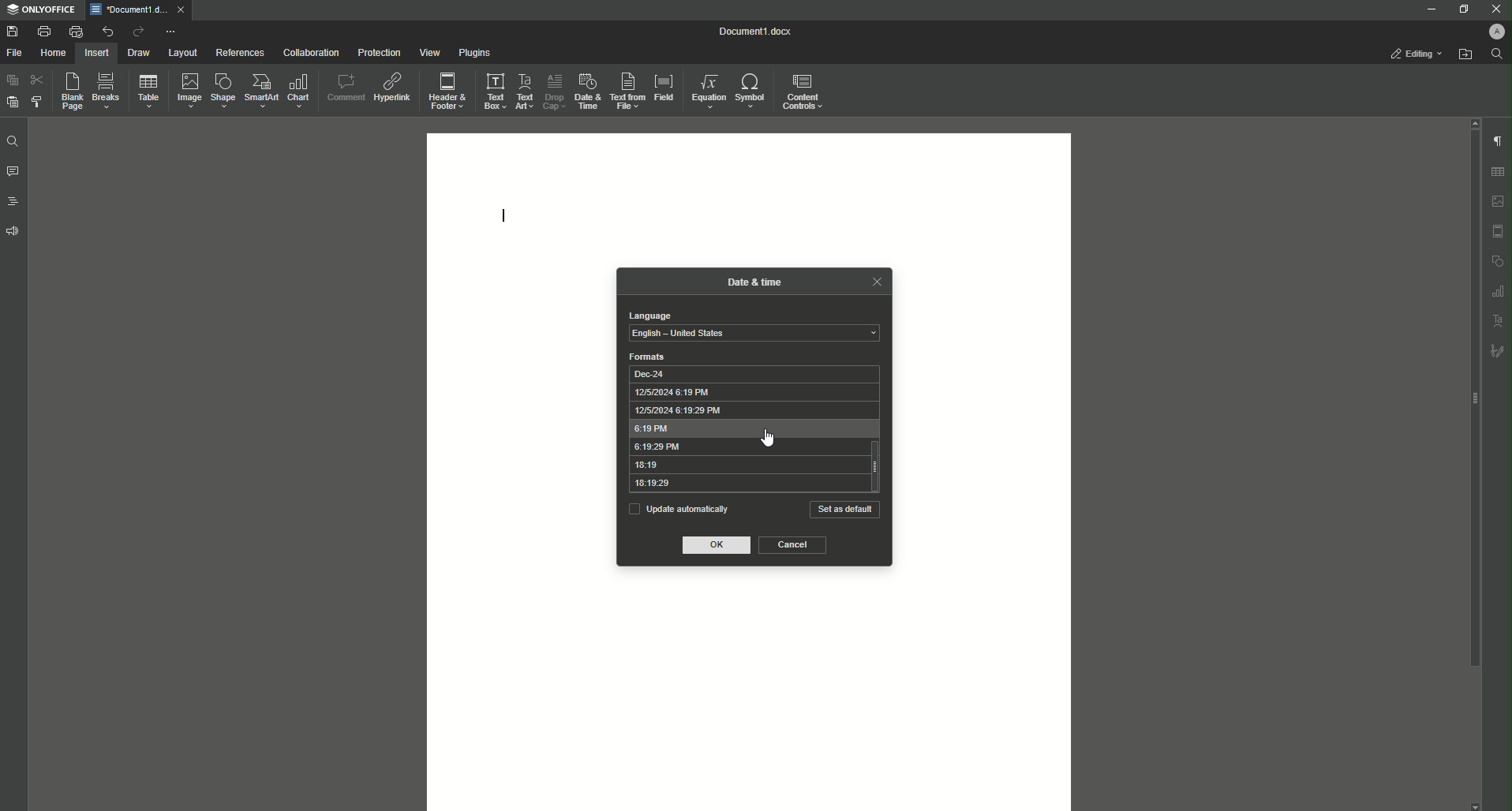 The image size is (1512, 811). I want to click on close, so click(181, 9).